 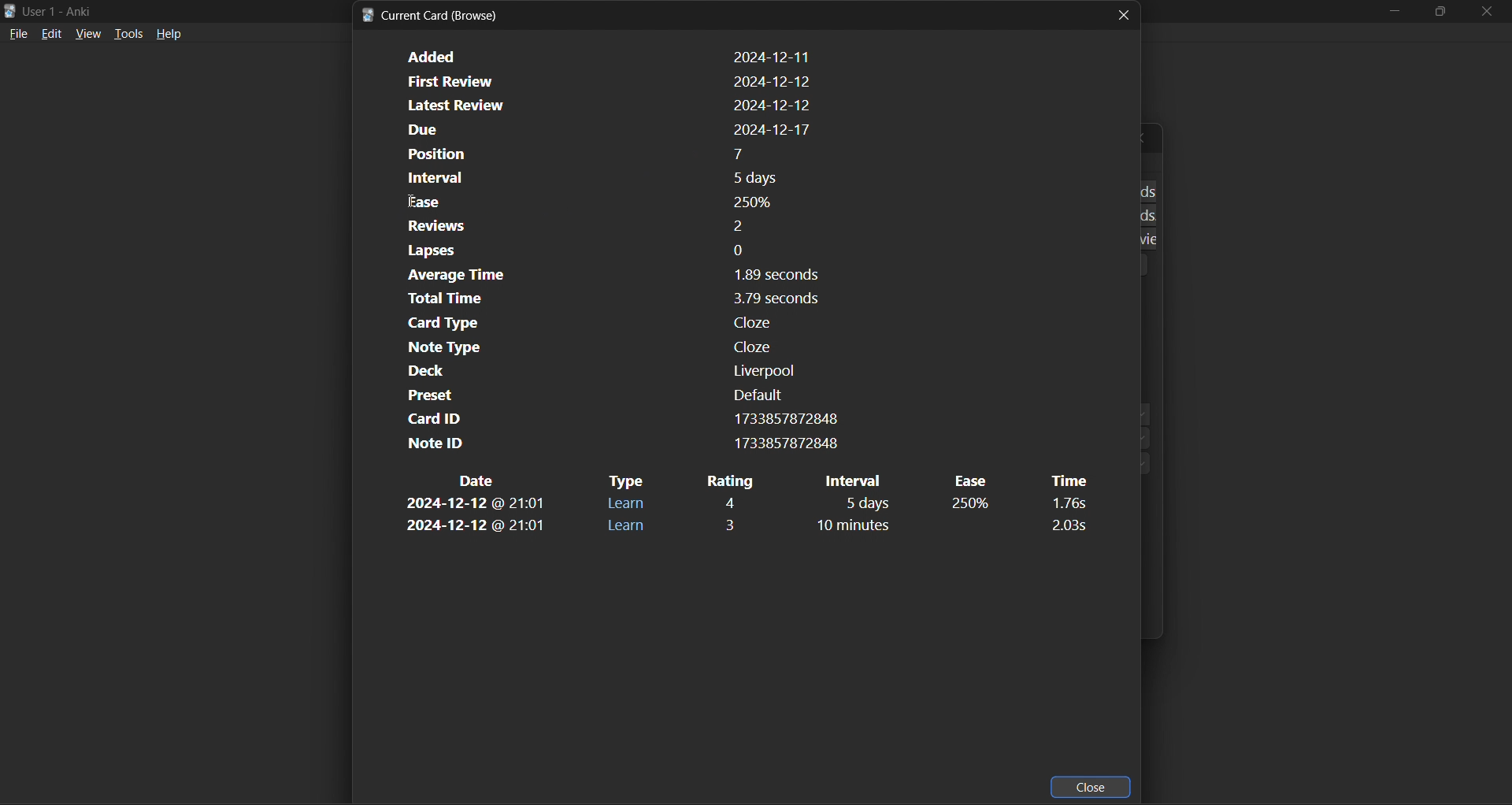 What do you see at coordinates (1066, 480) in the screenshot?
I see `time` at bounding box center [1066, 480].